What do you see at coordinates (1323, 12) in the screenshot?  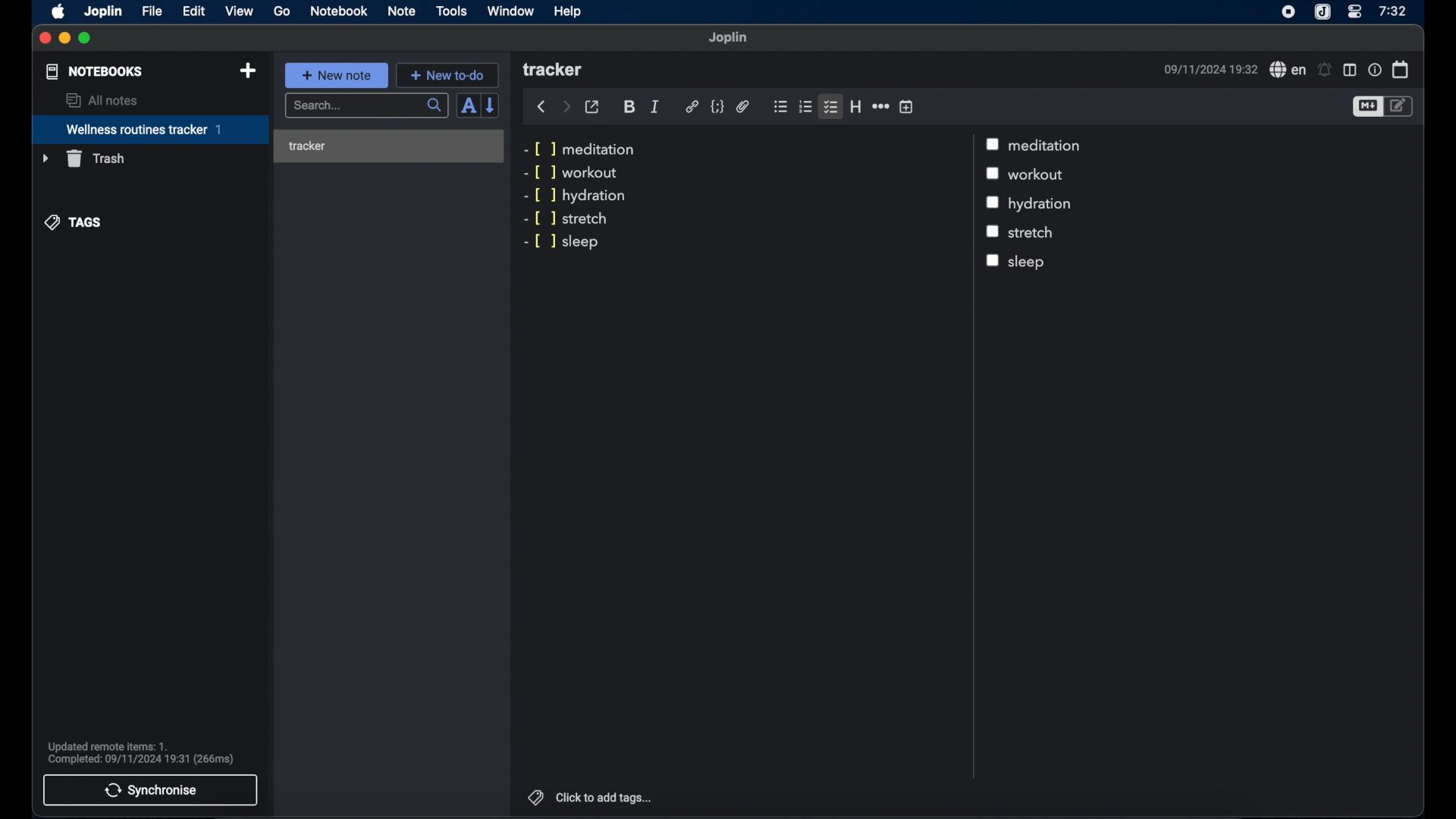 I see `joplin icon` at bounding box center [1323, 12].